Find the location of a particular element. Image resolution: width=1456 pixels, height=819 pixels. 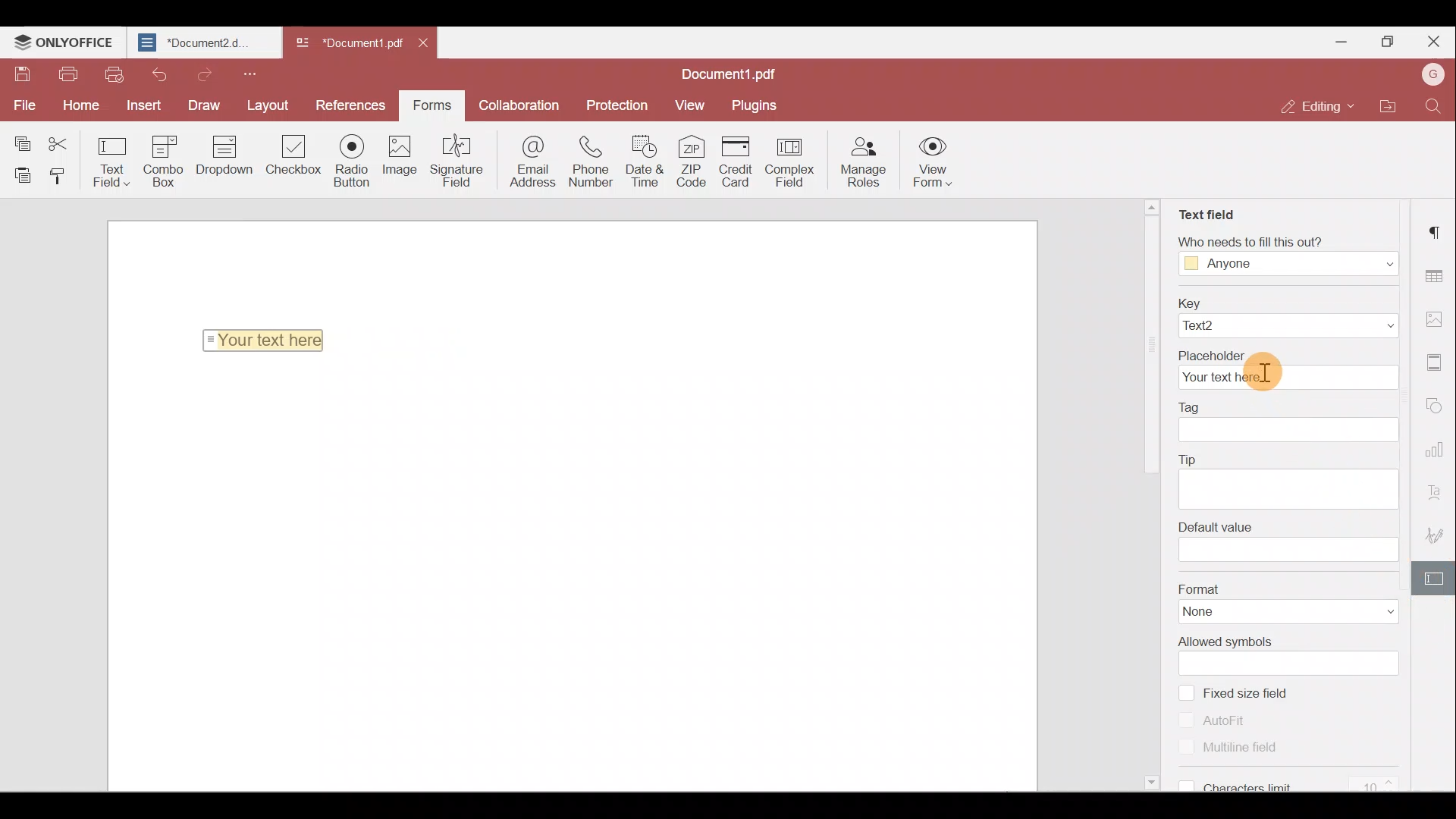

Document1.pdf is located at coordinates (737, 71).